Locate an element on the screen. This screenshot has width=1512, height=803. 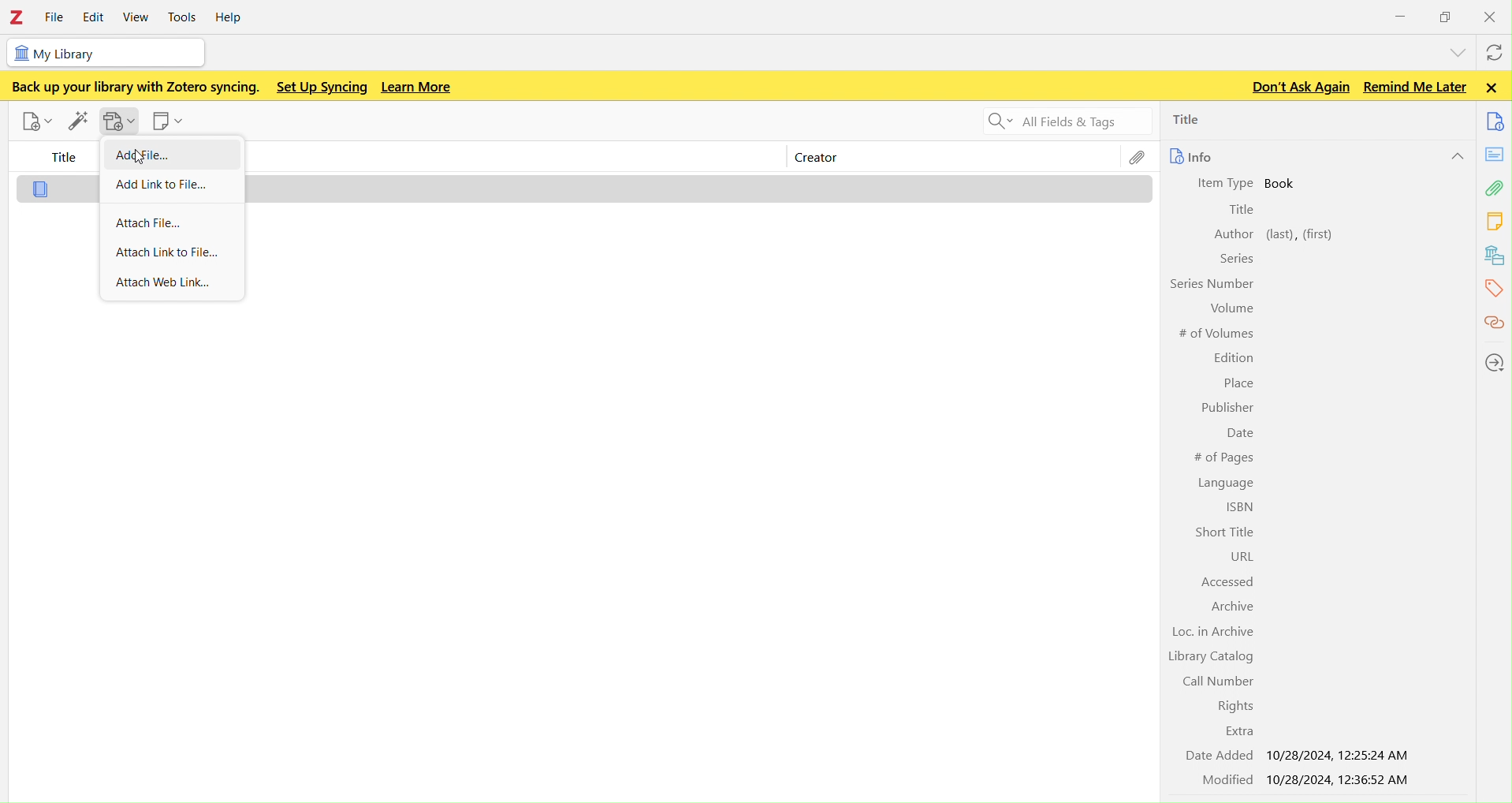
# of Volumes is located at coordinates (1214, 332).